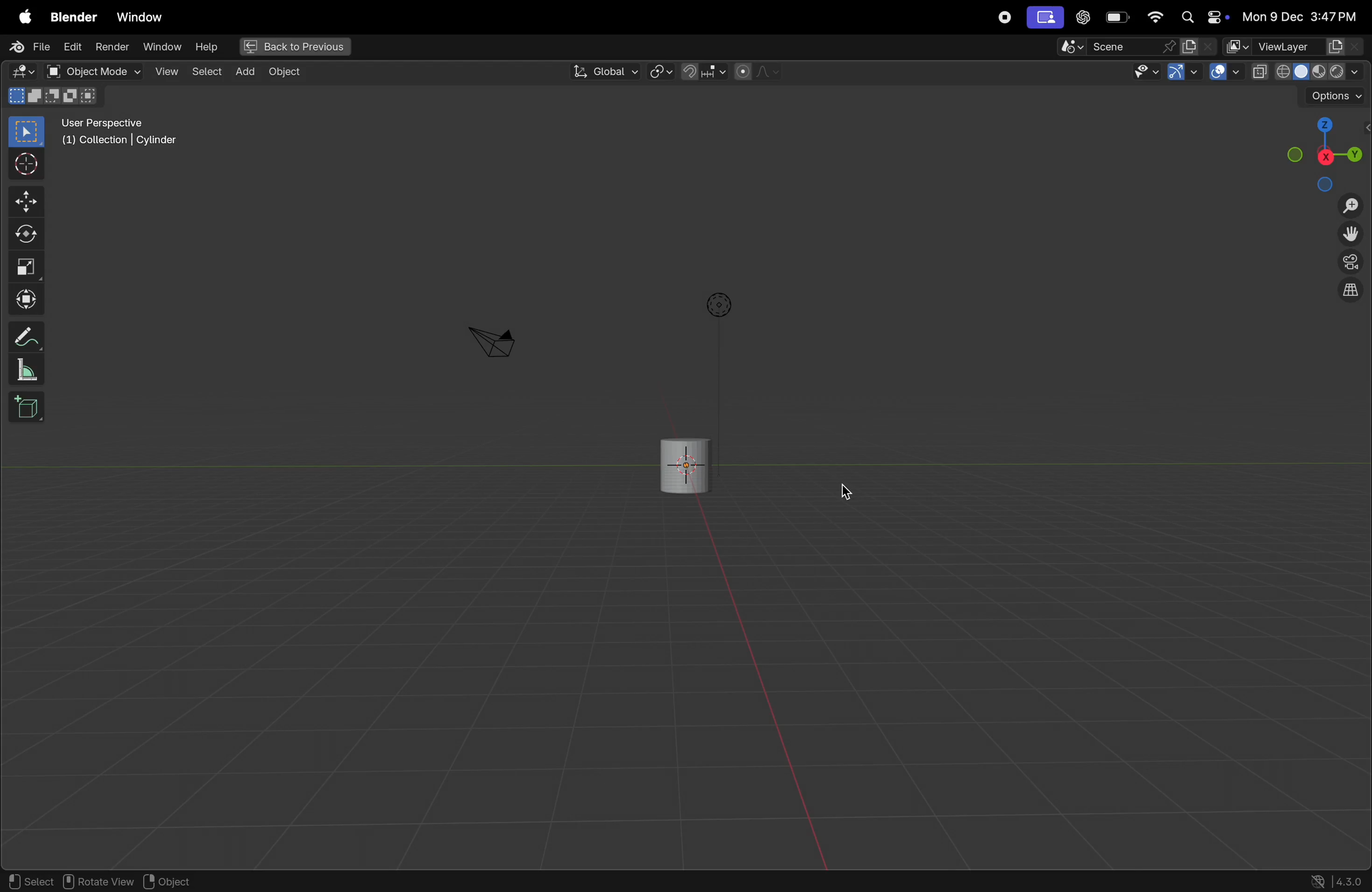 Image resolution: width=1372 pixels, height=892 pixels. What do you see at coordinates (756, 72) in the screenshot?
I see `proportional fall off` at bounding box center [756, 72].